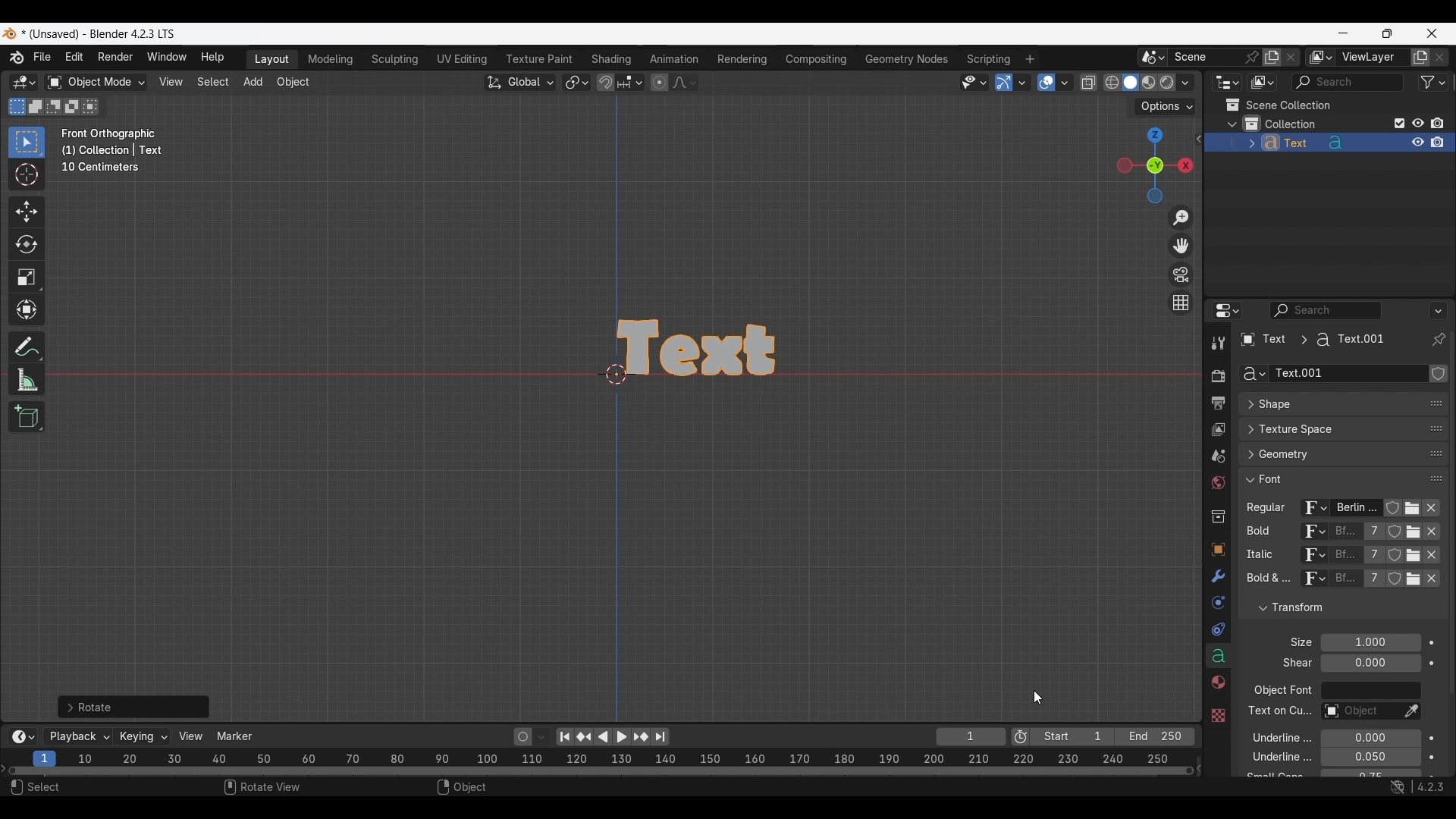  Describe the element at coordinates (1218, 343) in the screenshot. I see `Tool` at that location.